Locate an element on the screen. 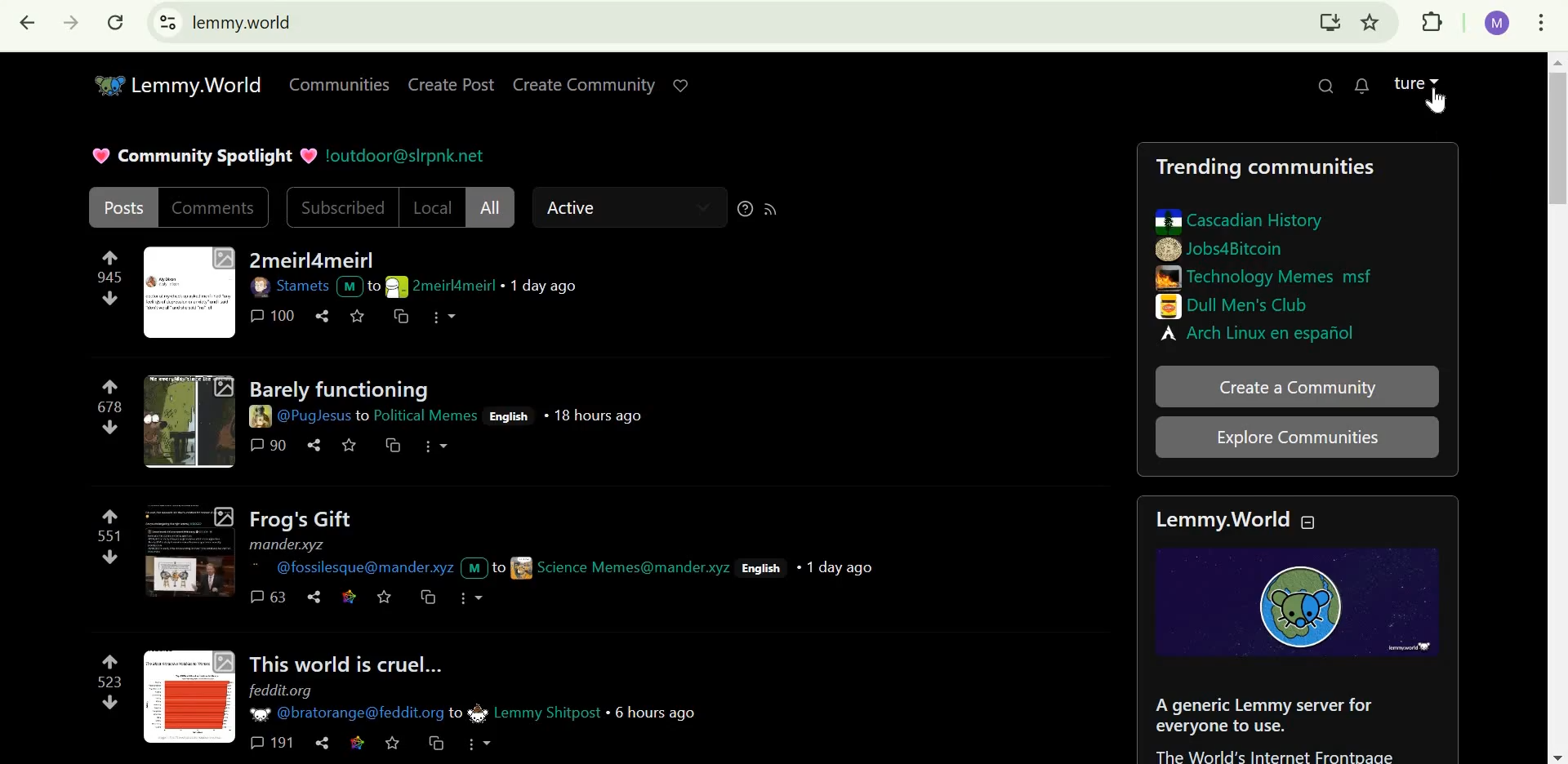 The image size is (1568, 764). reload this page is located at coordinates (116, 22).